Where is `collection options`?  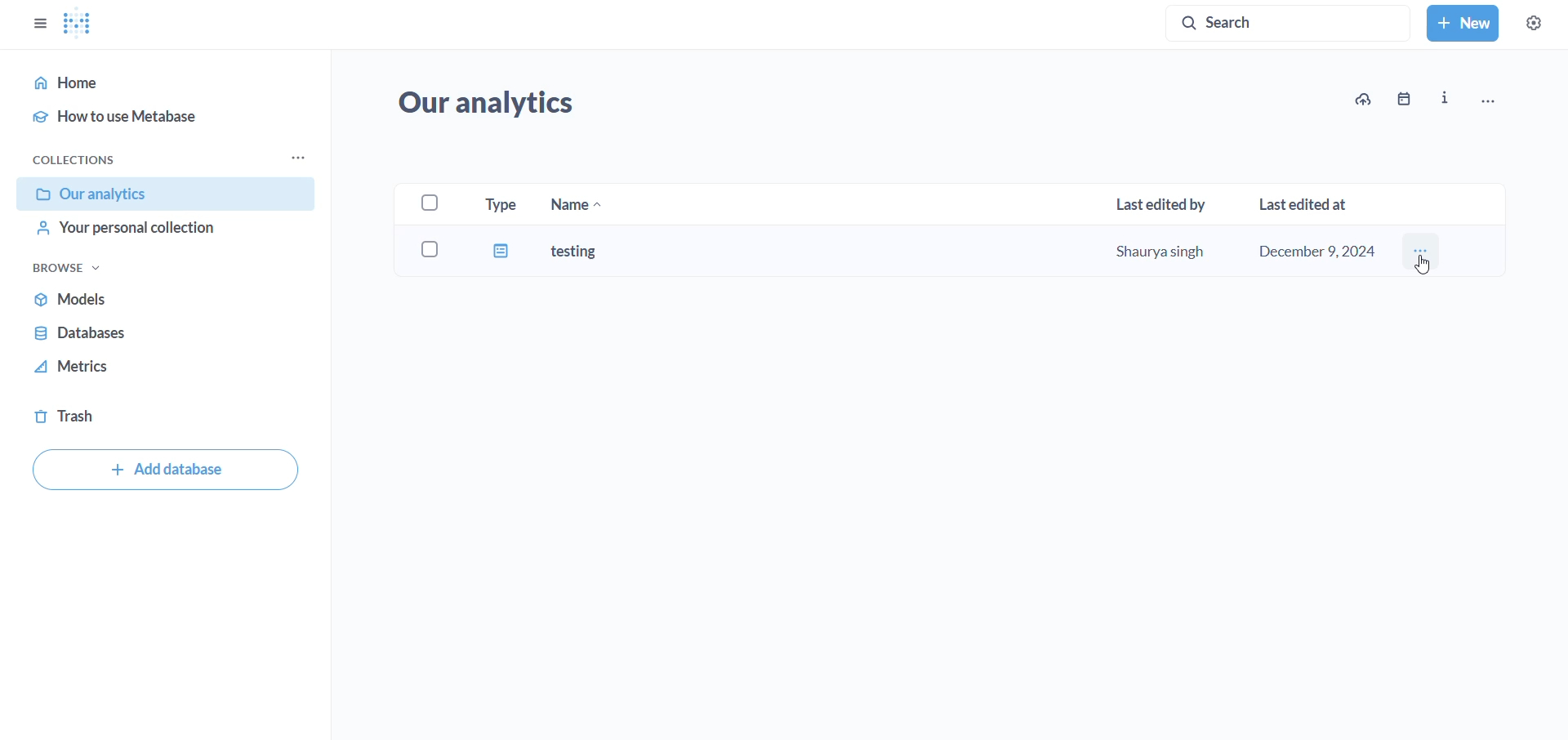
collection options is located at coordinates (296, 158).